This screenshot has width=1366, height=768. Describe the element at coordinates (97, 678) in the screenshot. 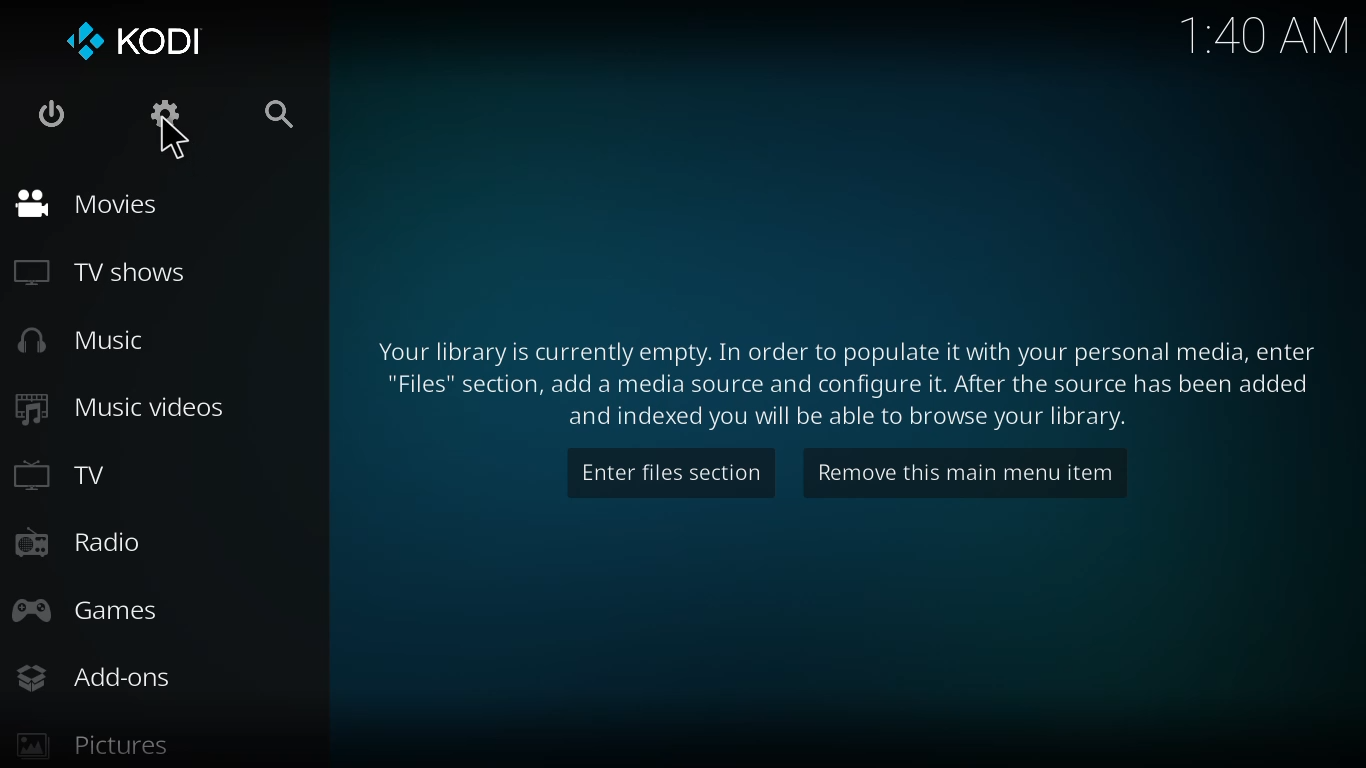

I see `add-ons` at that location.